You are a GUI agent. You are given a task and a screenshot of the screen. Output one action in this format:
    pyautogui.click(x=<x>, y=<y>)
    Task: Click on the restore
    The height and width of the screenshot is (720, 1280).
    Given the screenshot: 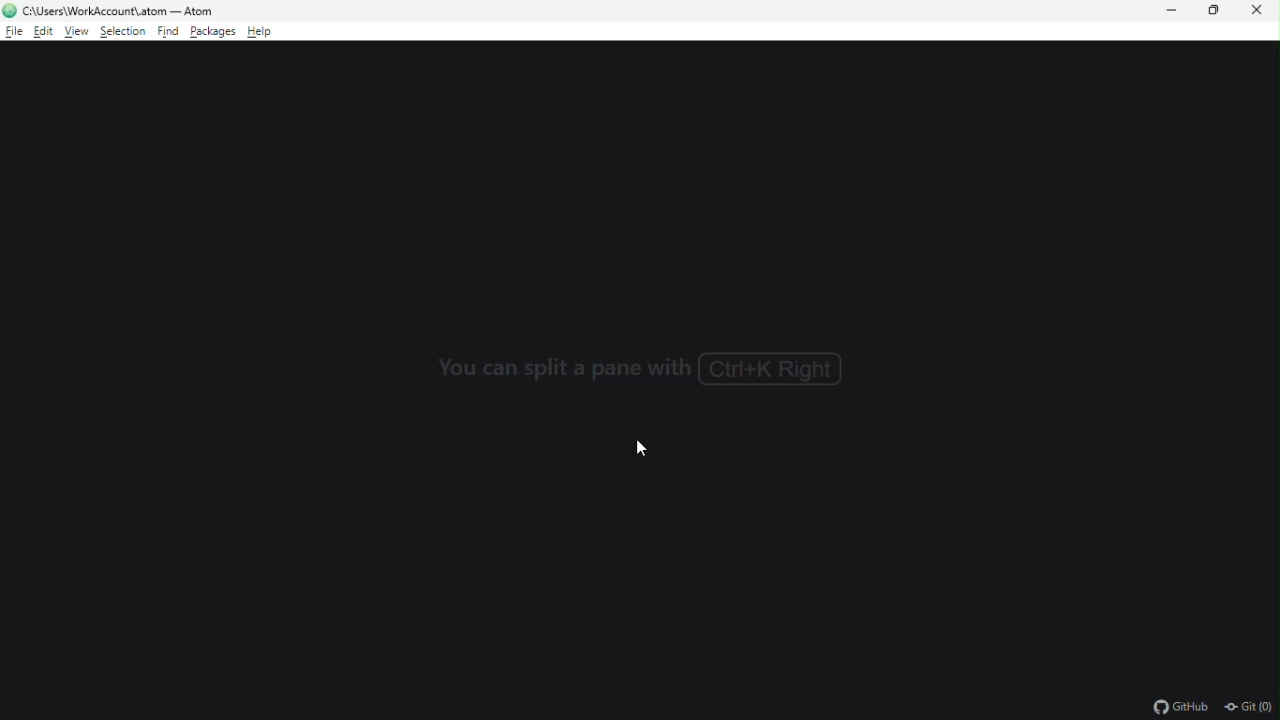 What is the action you would take?
    pyautogui.click(x=1217, y=11)
    